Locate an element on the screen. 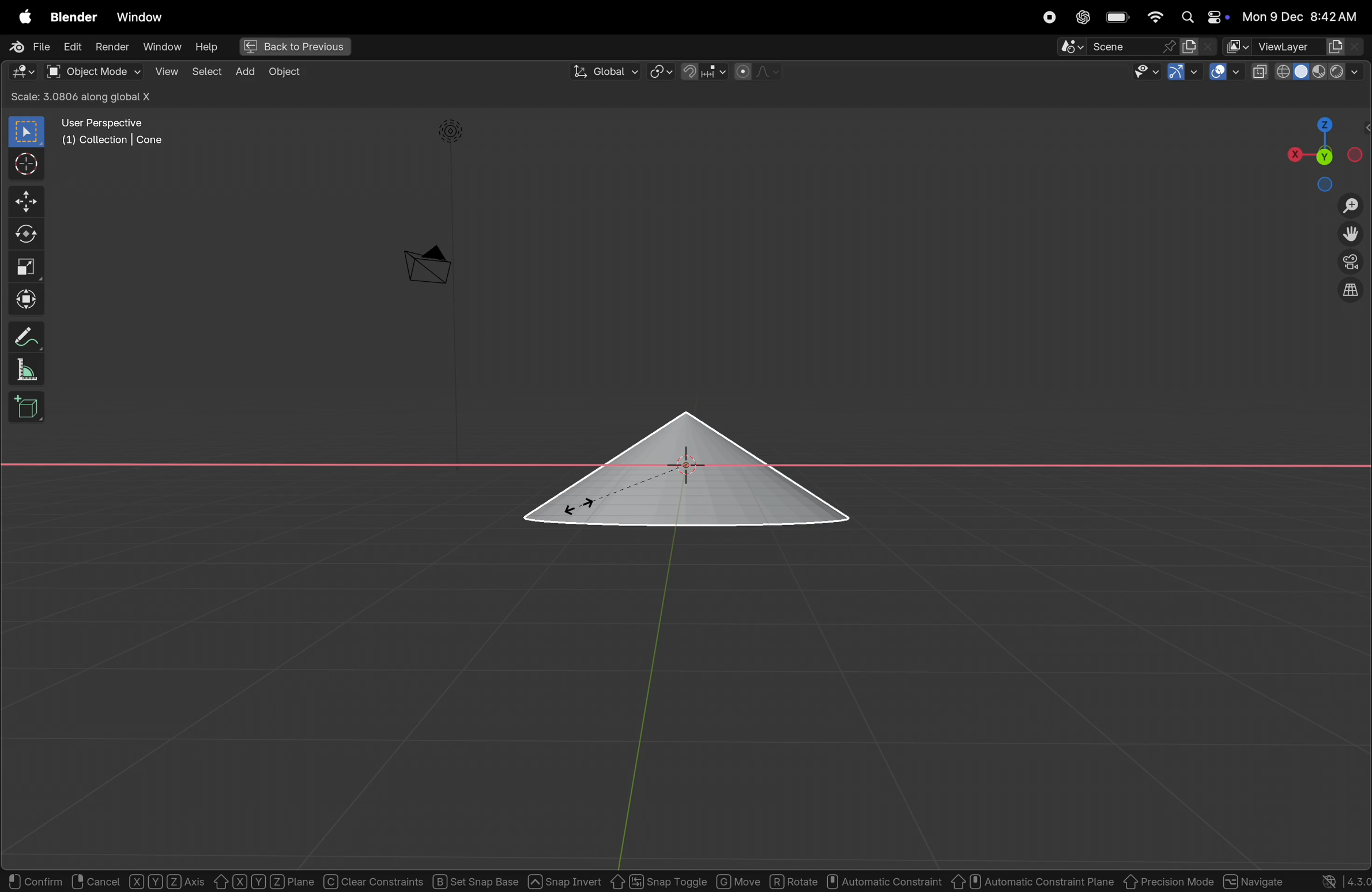  user perspective is located at coordinates (114, 130).